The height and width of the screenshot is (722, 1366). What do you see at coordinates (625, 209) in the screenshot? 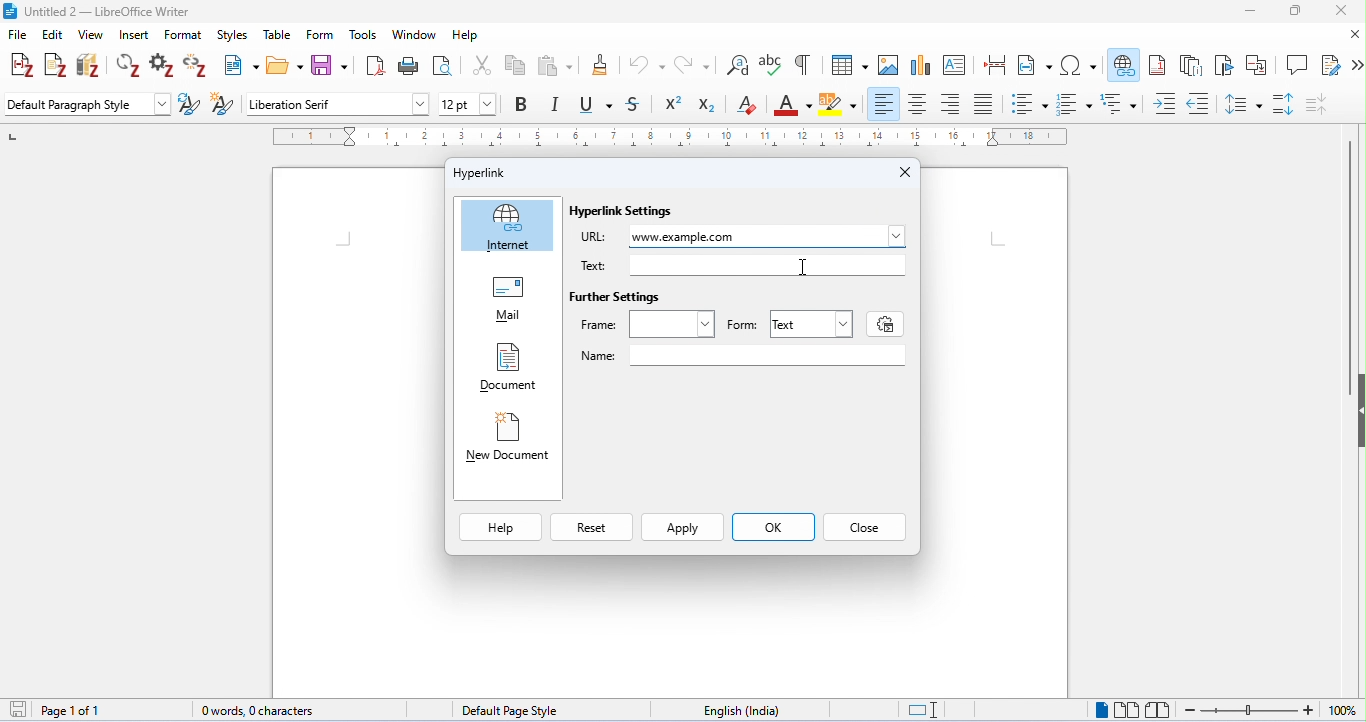
I see `Hyperlink Settings` at bounding box center [625, 209].